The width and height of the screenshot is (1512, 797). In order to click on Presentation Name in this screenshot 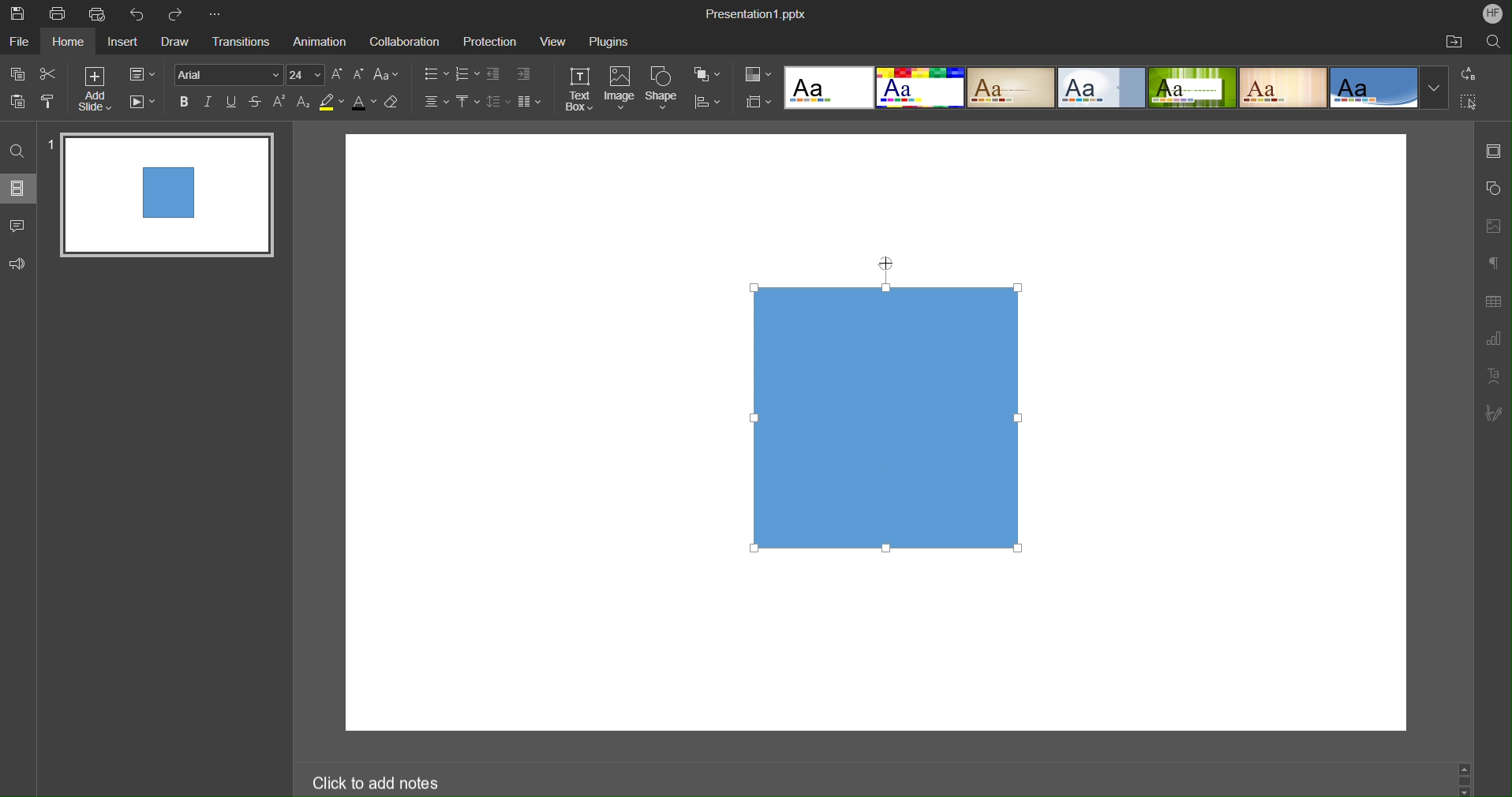, I will do `click(758, 13)`.